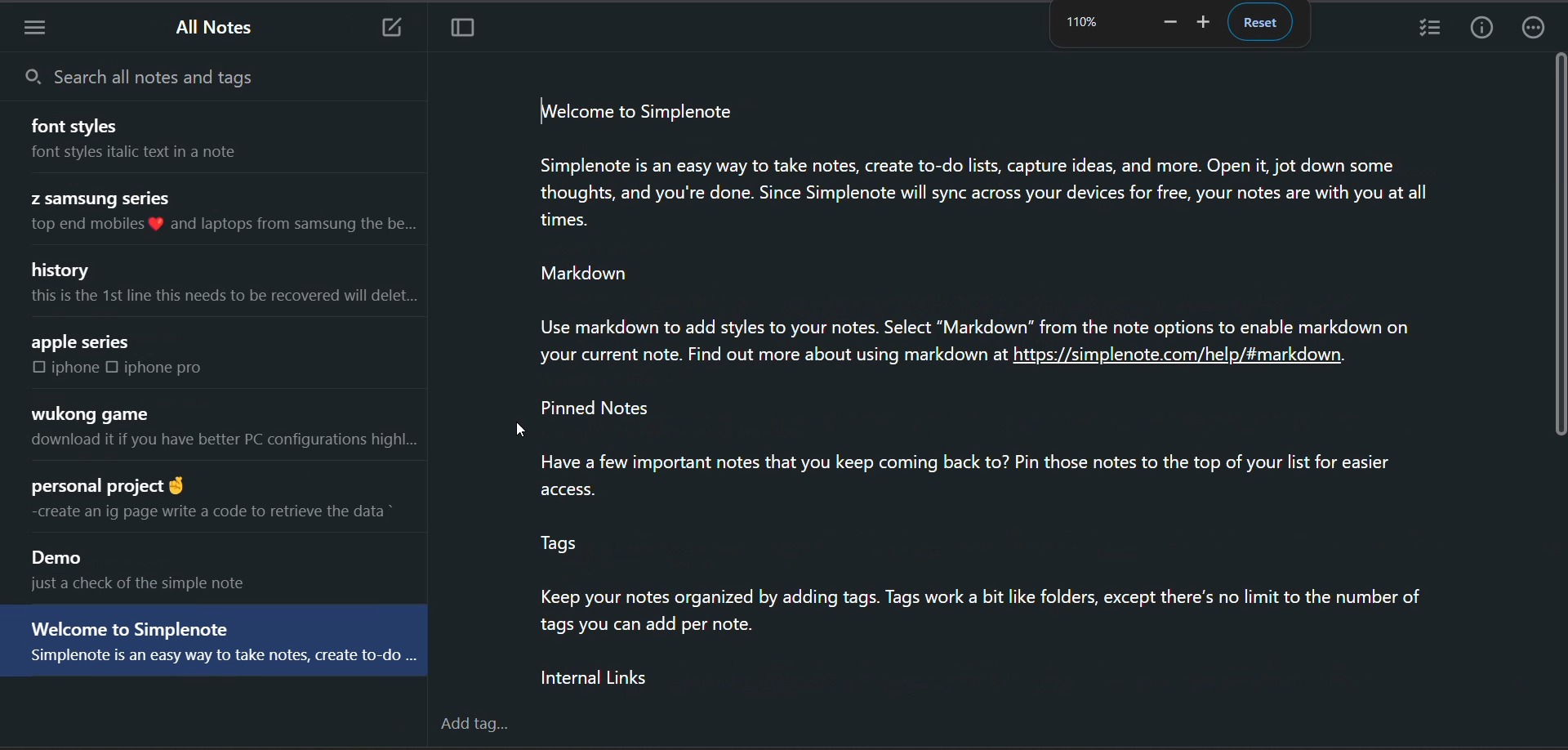 Image resolution: width=1568 pixels, height=750 pixels. Describe the element at coordinates (1009, 546) in the screenshot. I see `Pinned Notes
3
Have a few important notes that you keep coming back to? Pin those notes to the top of your list for easier
access.
Tags
Keep your notes organized by adding tags. Tags work a bit like folders, except there's no limit to the number of
tags you can add per note.
Internal Links` at that location.